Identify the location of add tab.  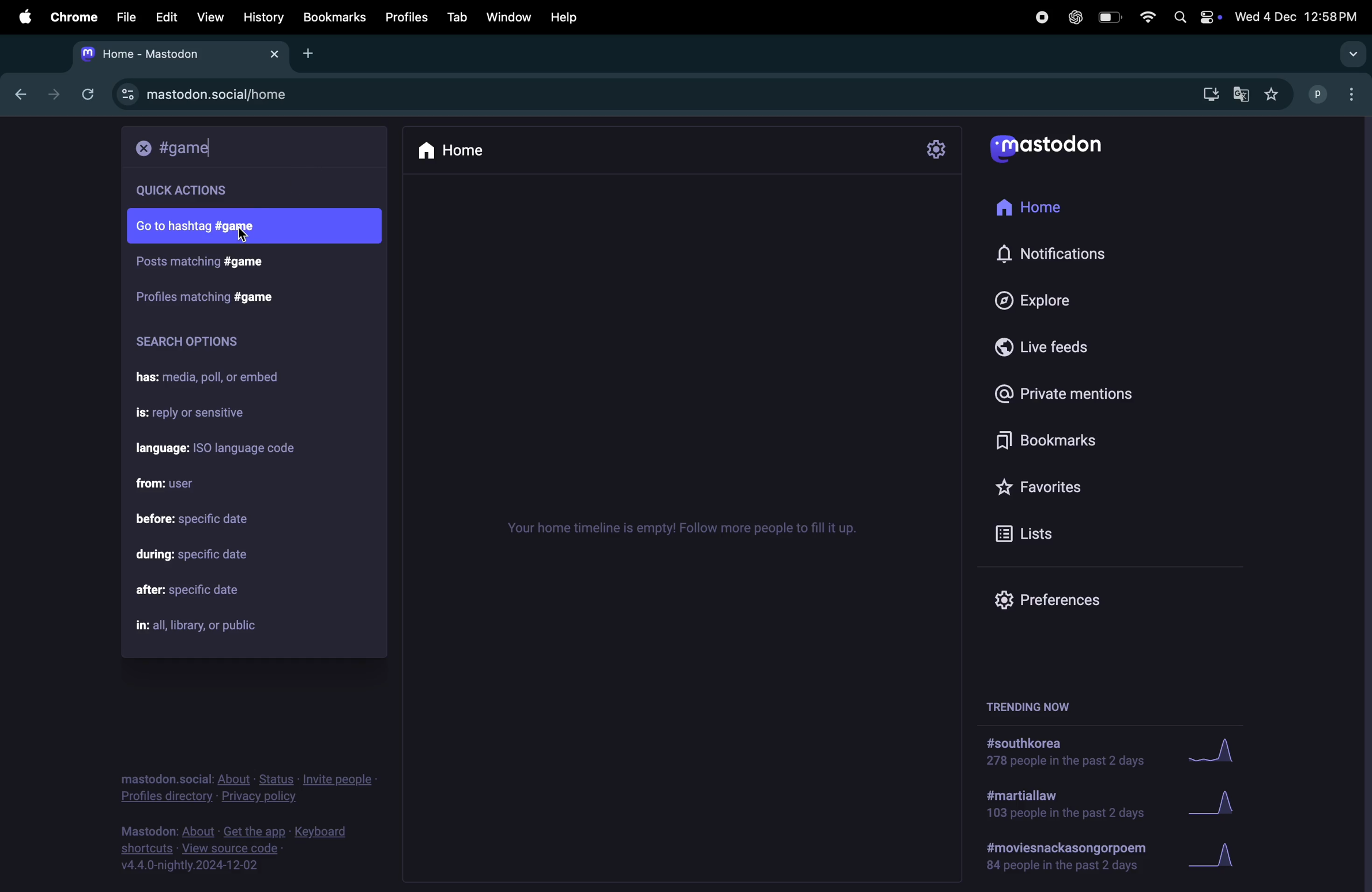
(313, 54).